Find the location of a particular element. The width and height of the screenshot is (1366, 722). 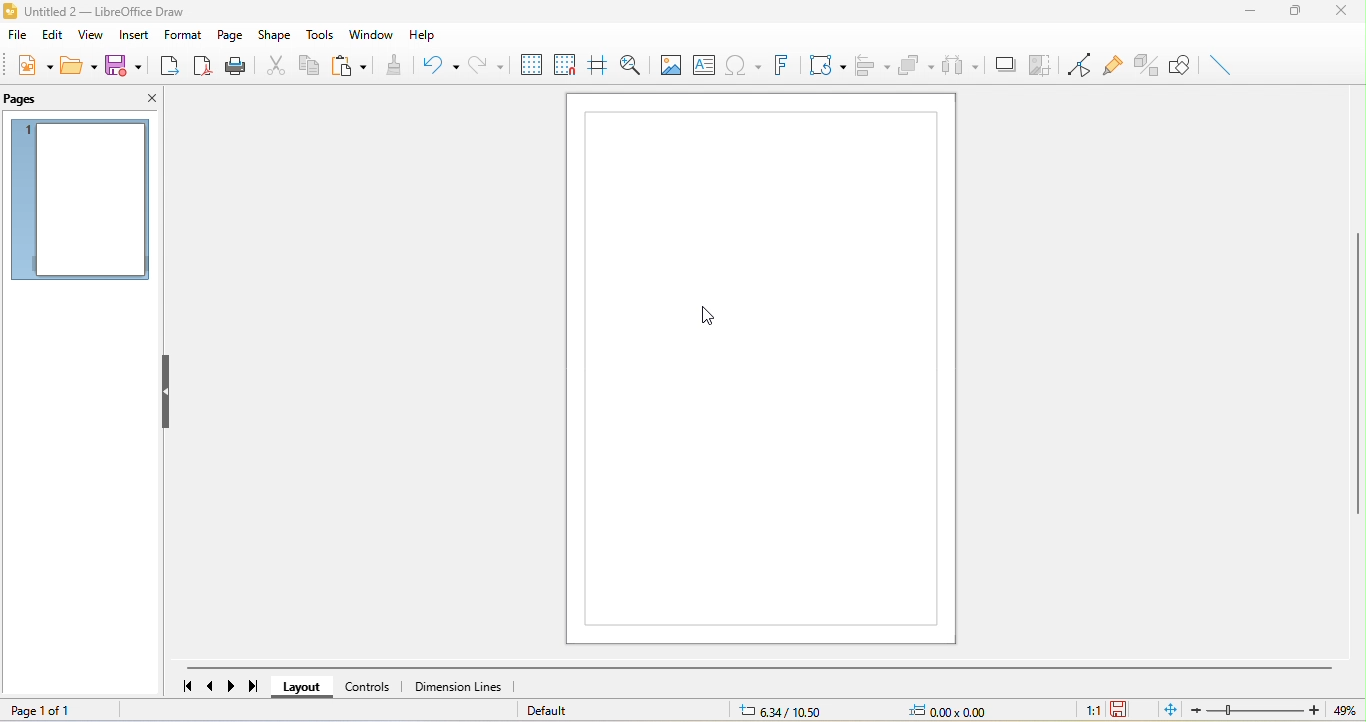

horizontal scroll bar is located at coordinates (764, 667).